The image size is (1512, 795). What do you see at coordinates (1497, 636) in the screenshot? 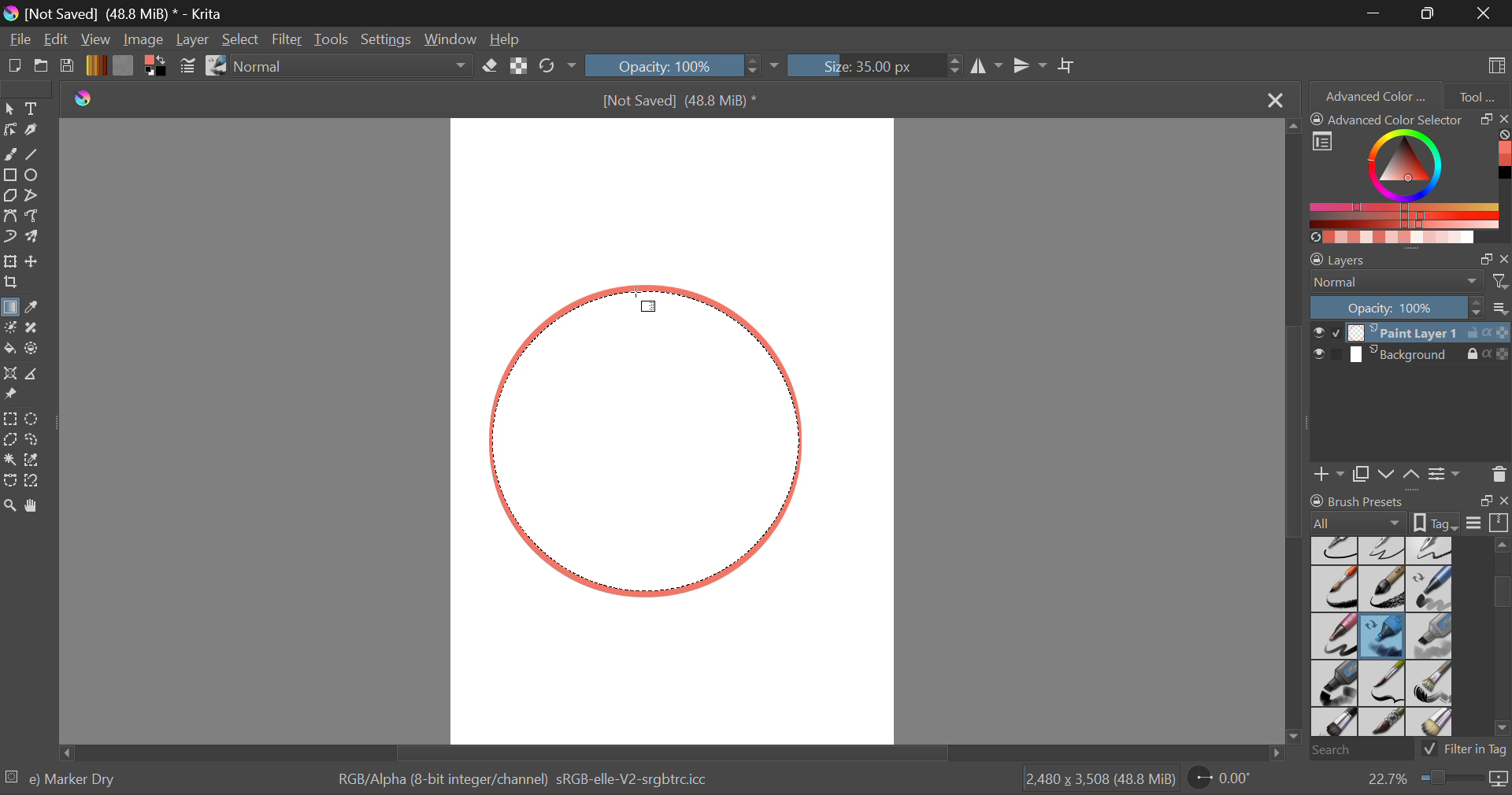
I see `slider` at bounding box center [1497, 636].